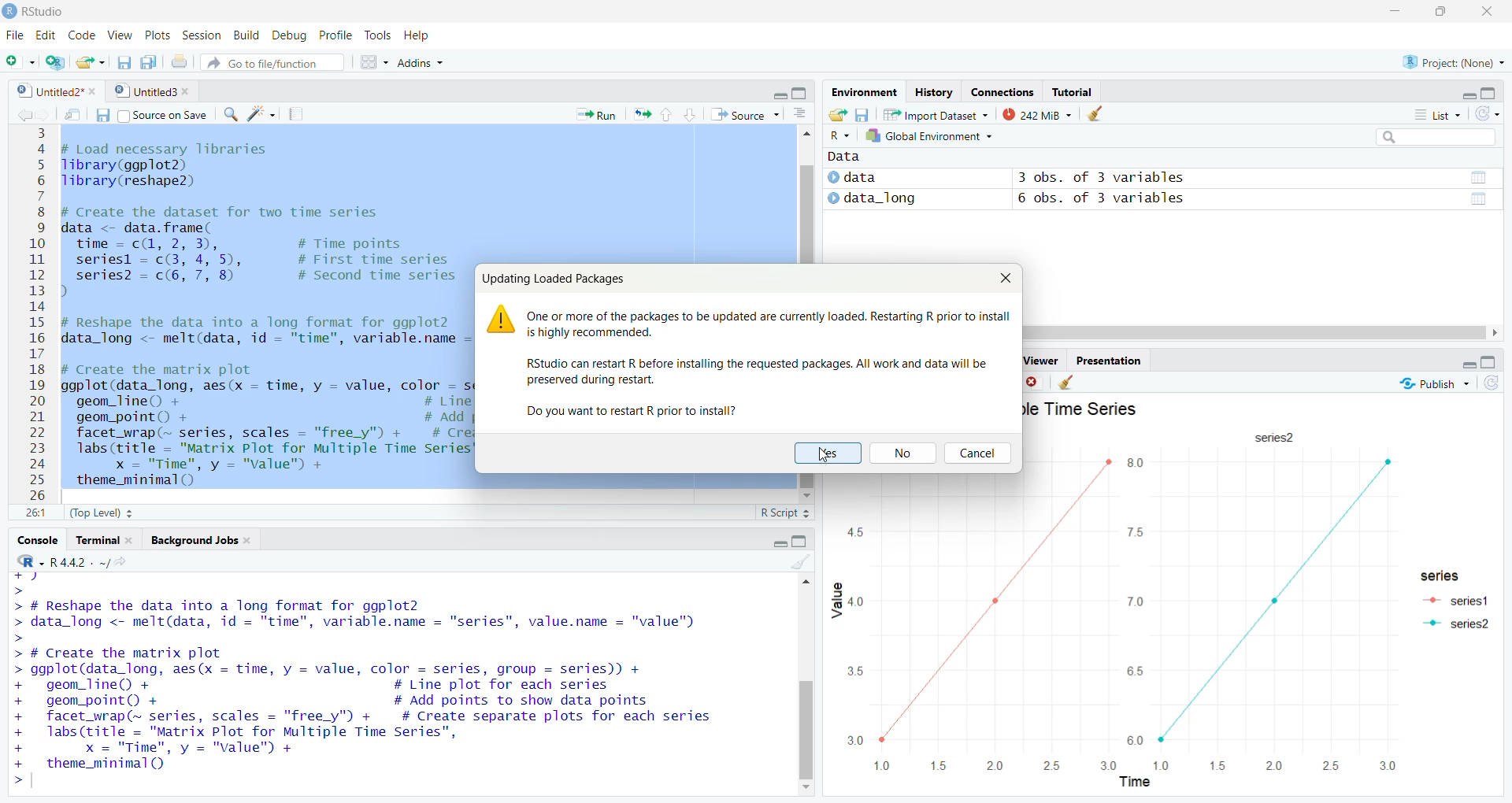  What do you see at coordinates (642, 113) in the screenshot?
I see `re -run previoud code` at bounding box center [642, 113].